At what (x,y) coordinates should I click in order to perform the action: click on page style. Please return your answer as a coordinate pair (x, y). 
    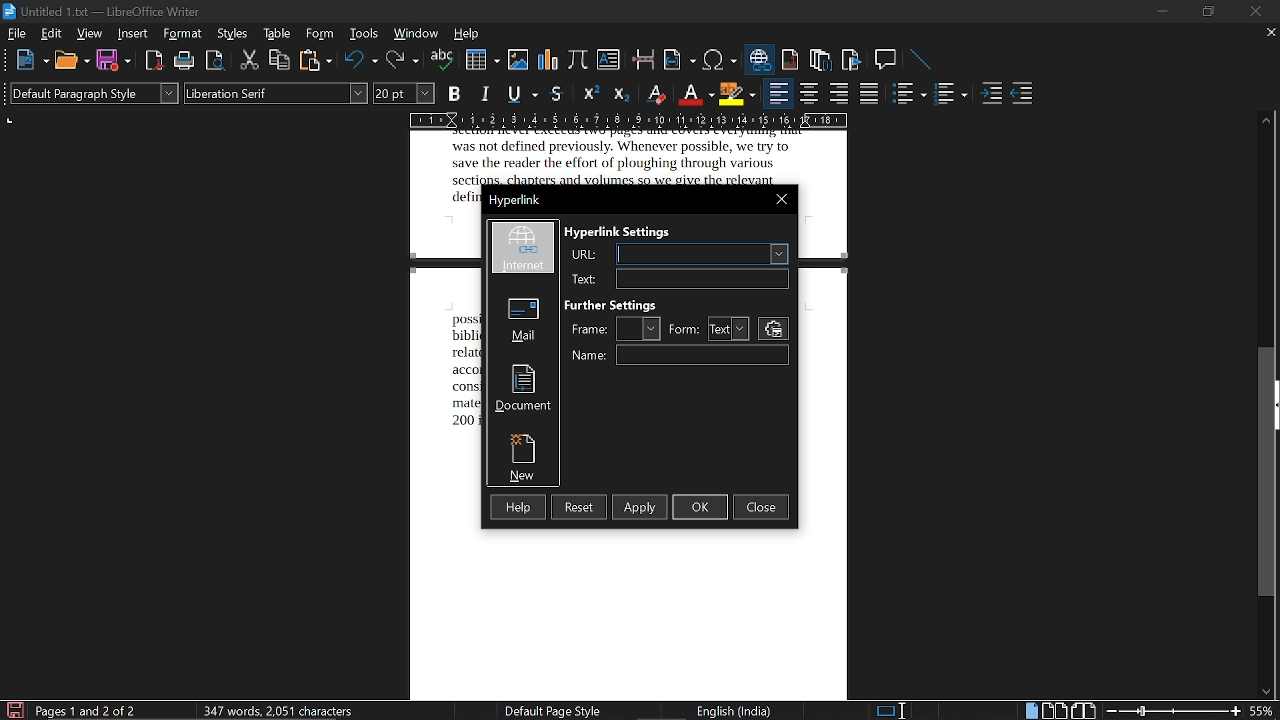
    Looking at the image, I should click on (545, 711).